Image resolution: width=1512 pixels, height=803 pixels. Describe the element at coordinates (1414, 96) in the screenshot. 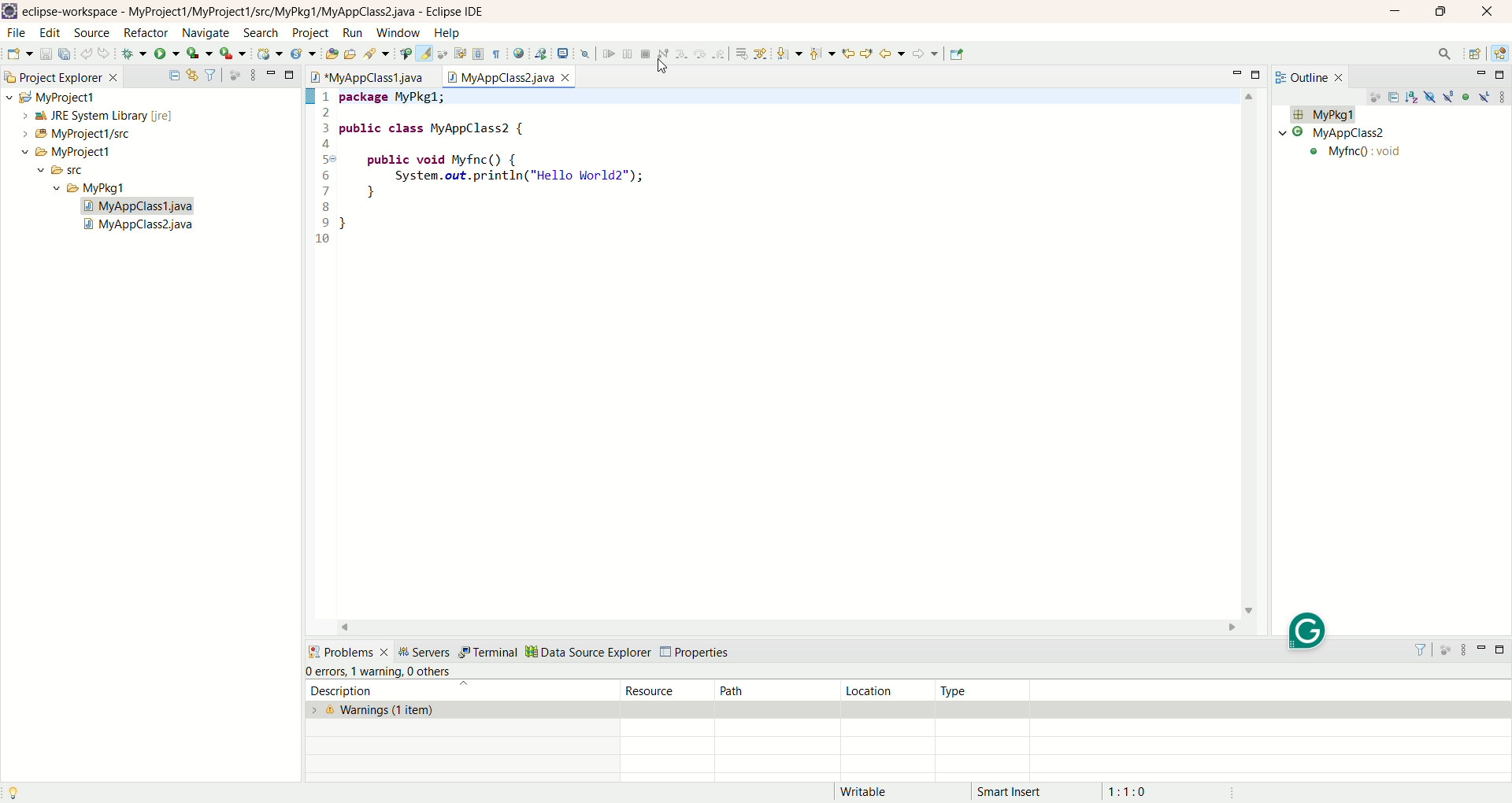

I see `sort` at that location.